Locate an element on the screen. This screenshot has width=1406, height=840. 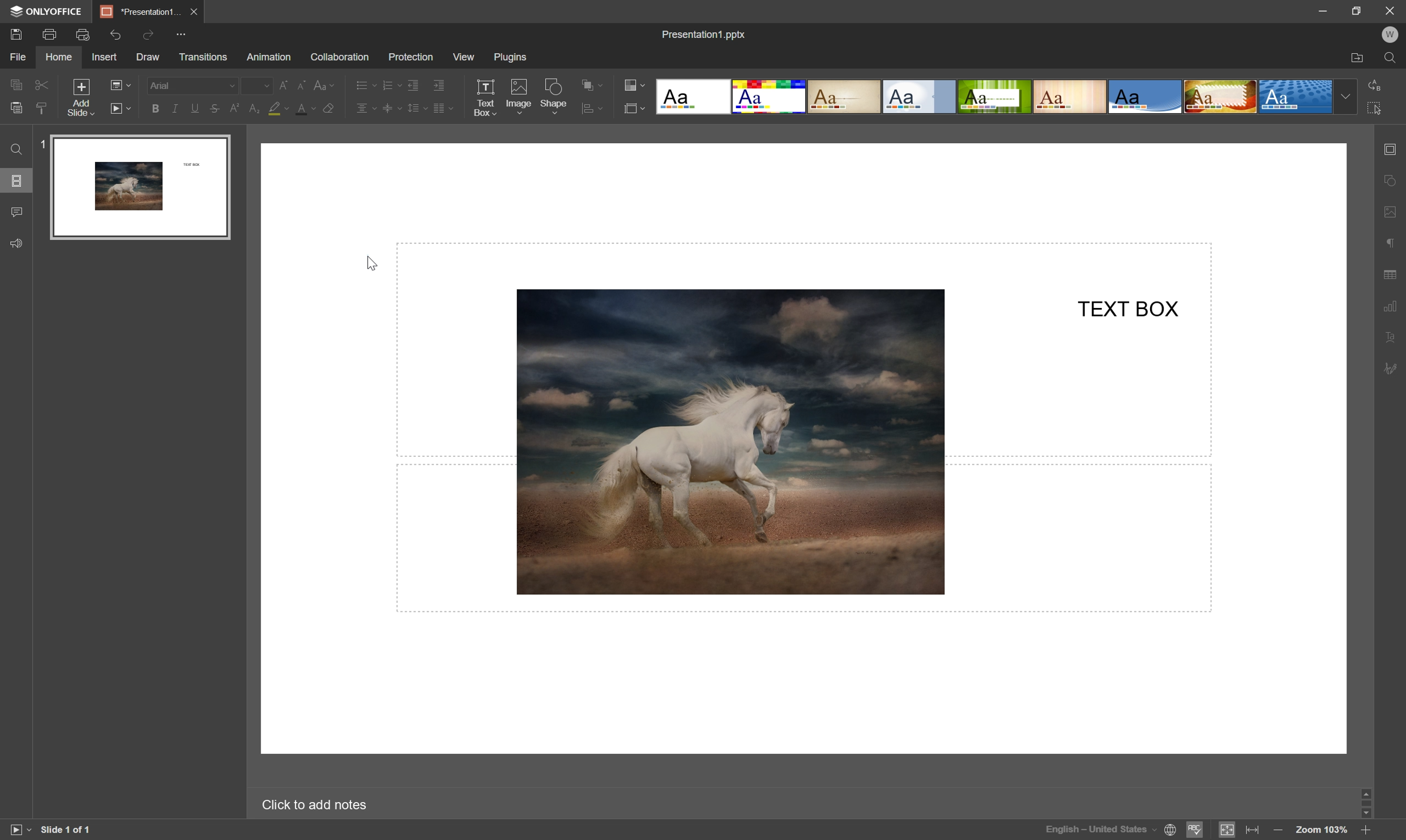
shape is located at coordinates (554, 96).